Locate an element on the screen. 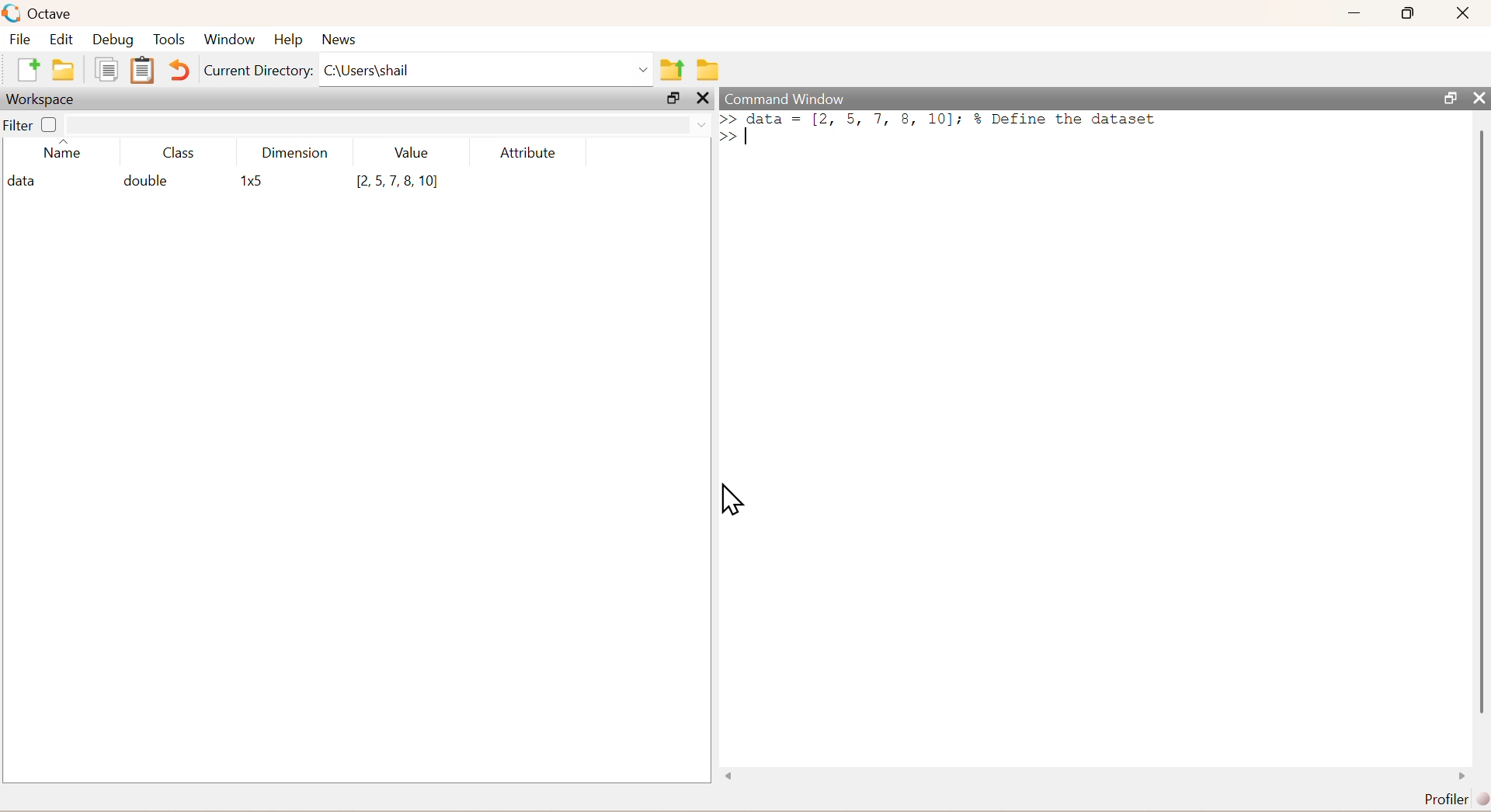 The width and height of the screenshot is (1491, 812). C\Users\shail is located at coordinates (367, 70).